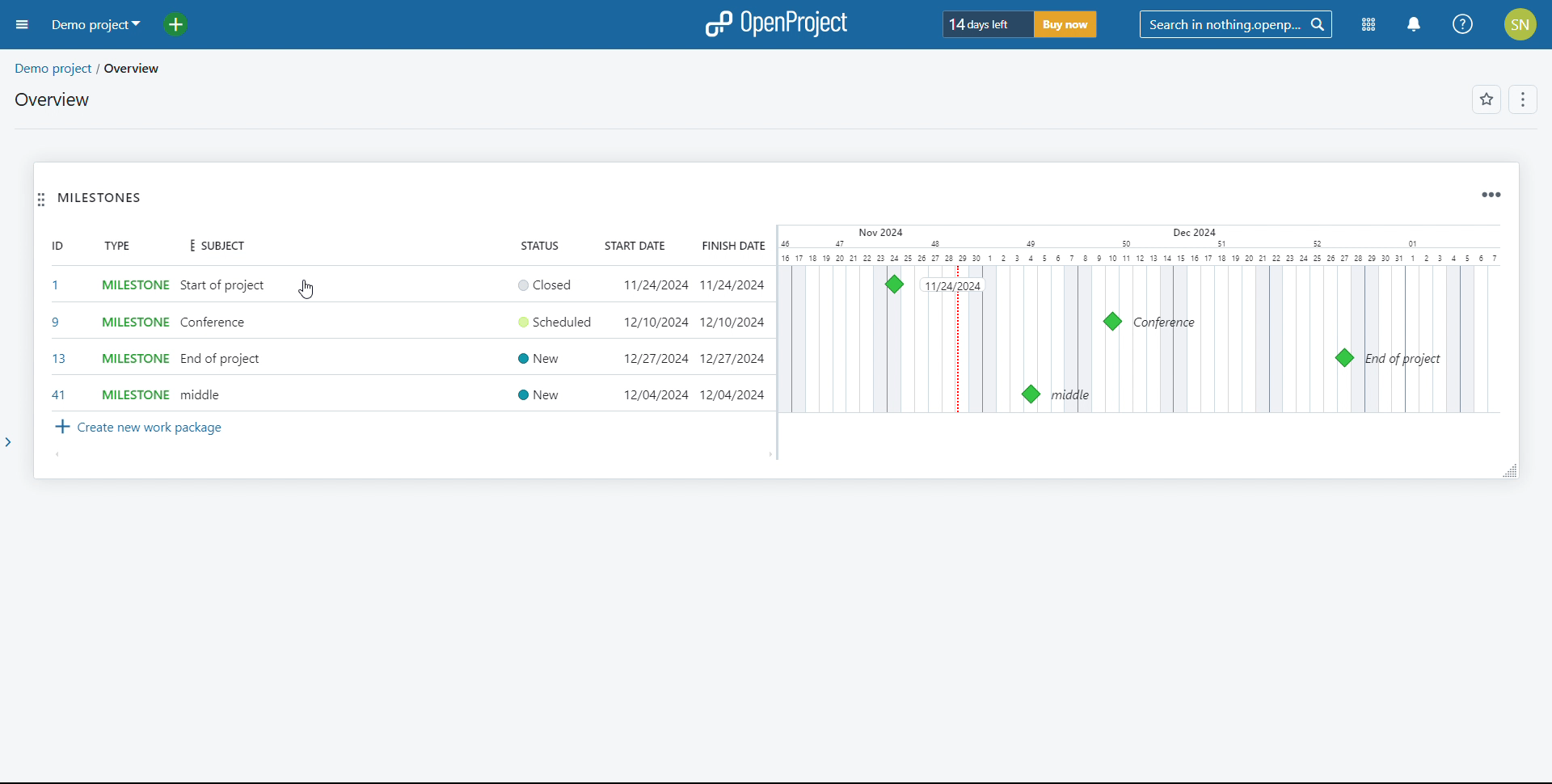  Describe the element at coordinates (1462, 24) in the screenshot. I see `help` at that location.